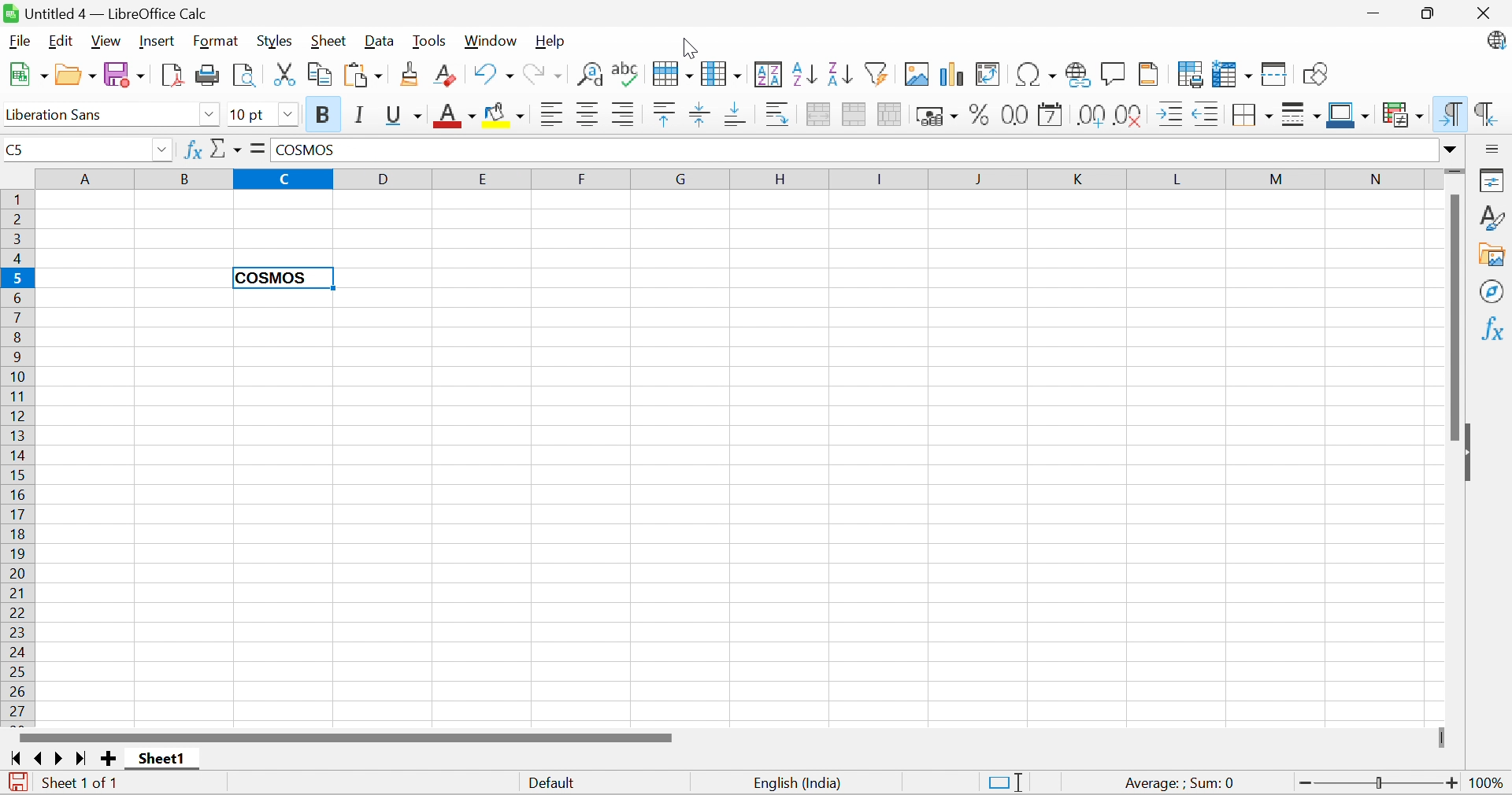 This screenshot has height=795, width=1512. I want to click on Italic, so click(361, 115).